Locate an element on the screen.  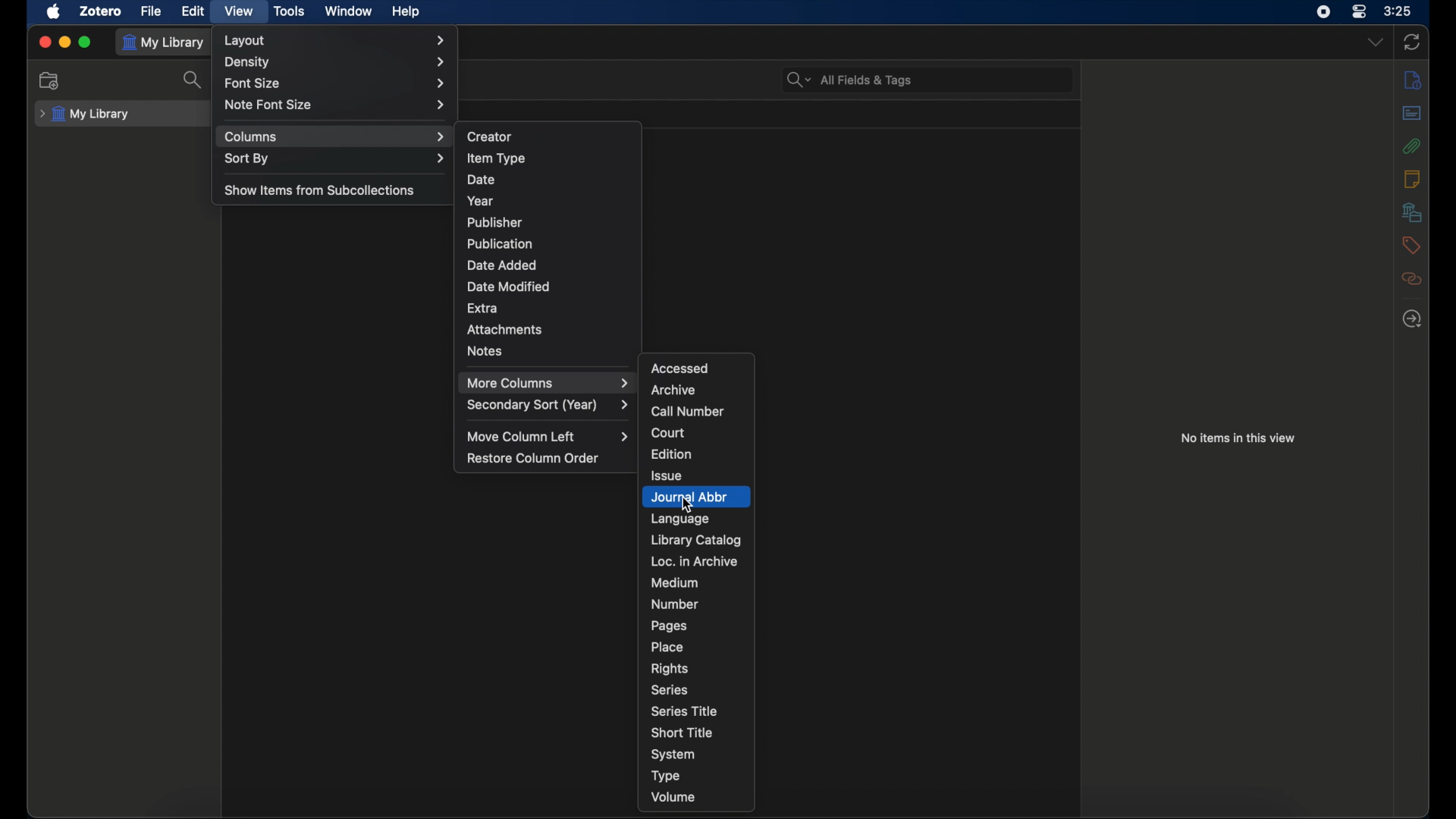
archive is located at coordinates (673, 390).